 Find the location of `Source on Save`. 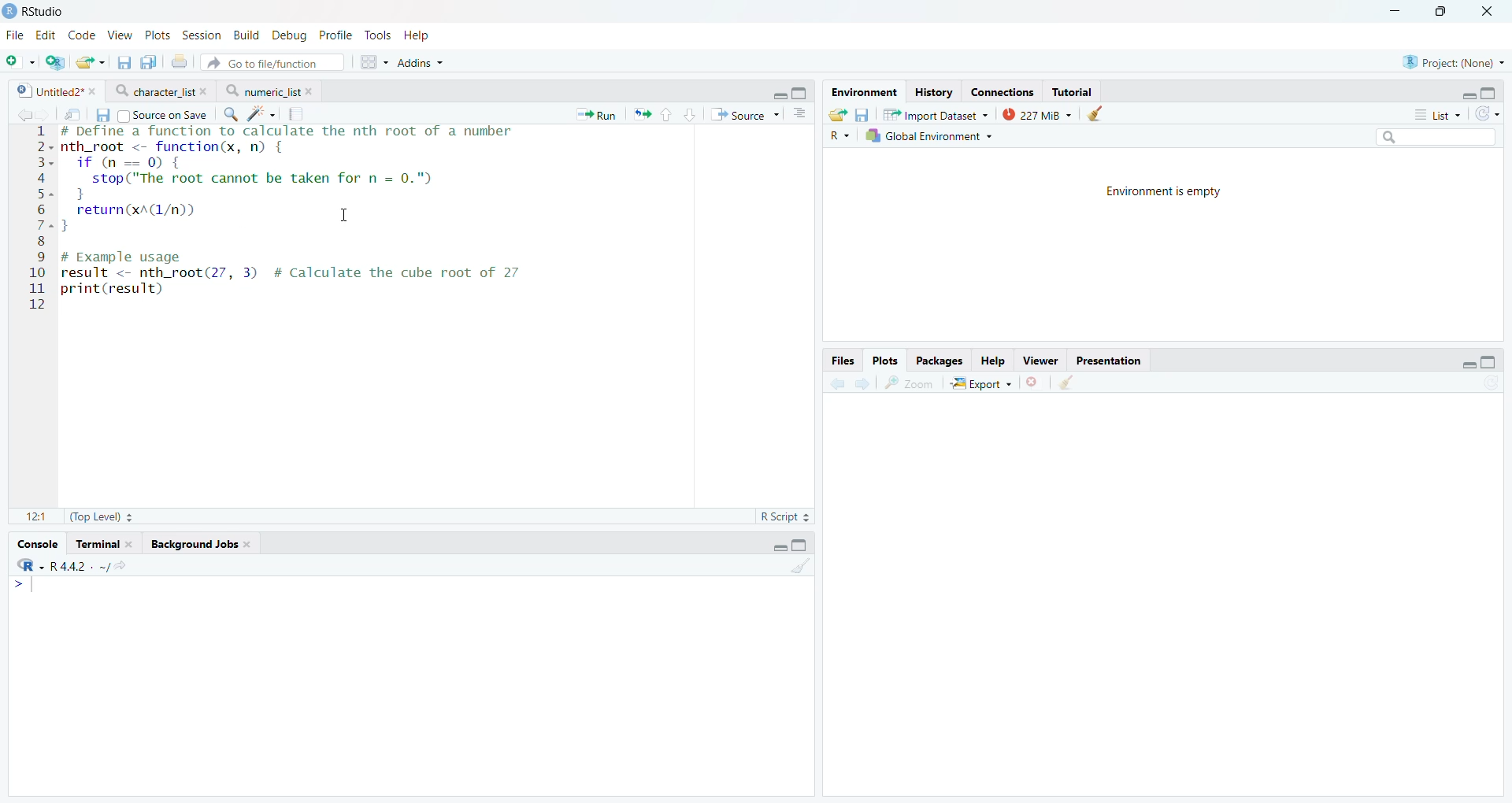

Source on Save is located at coordinates (162, 115).